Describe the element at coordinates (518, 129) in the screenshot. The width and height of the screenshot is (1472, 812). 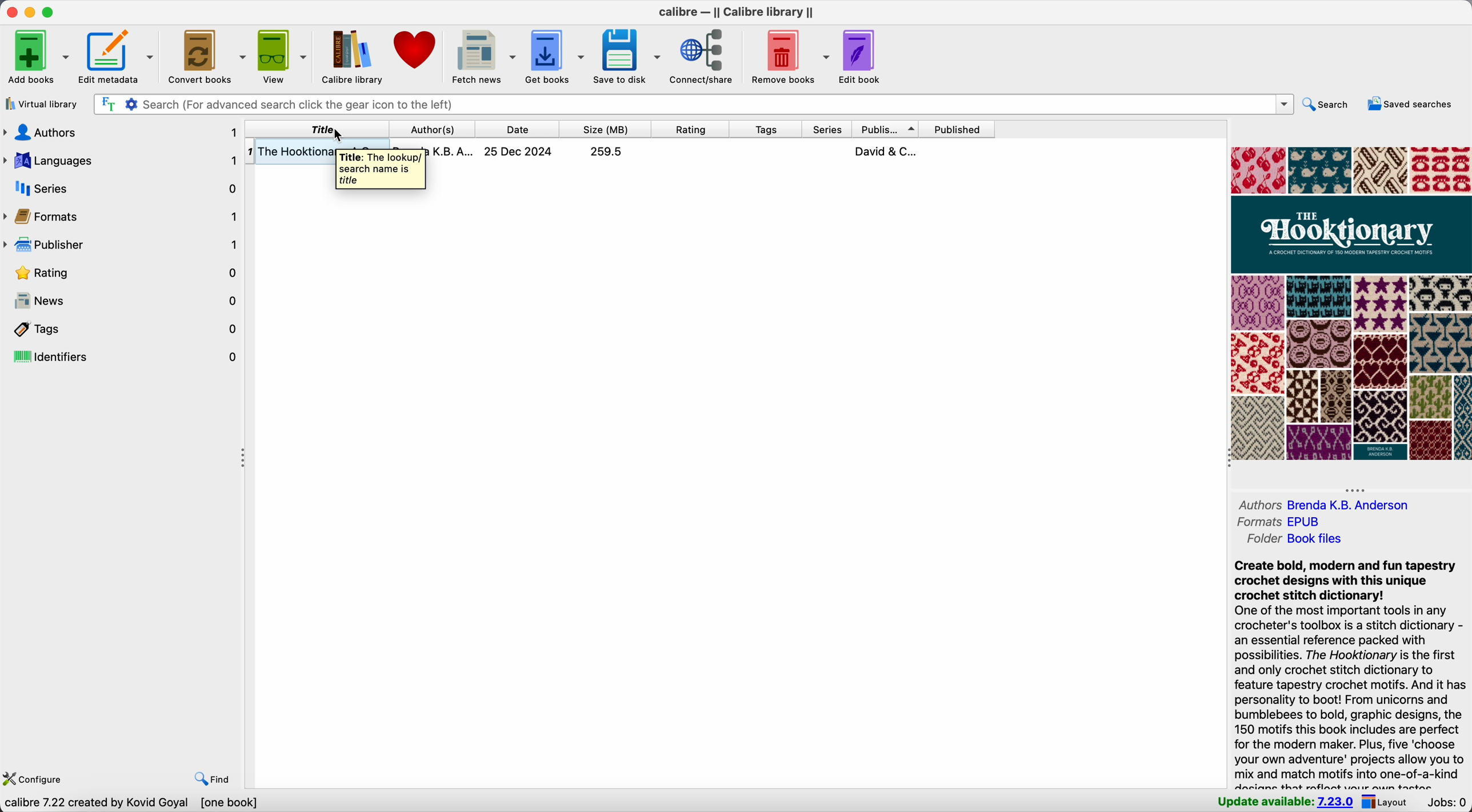
I see `date` at that location.